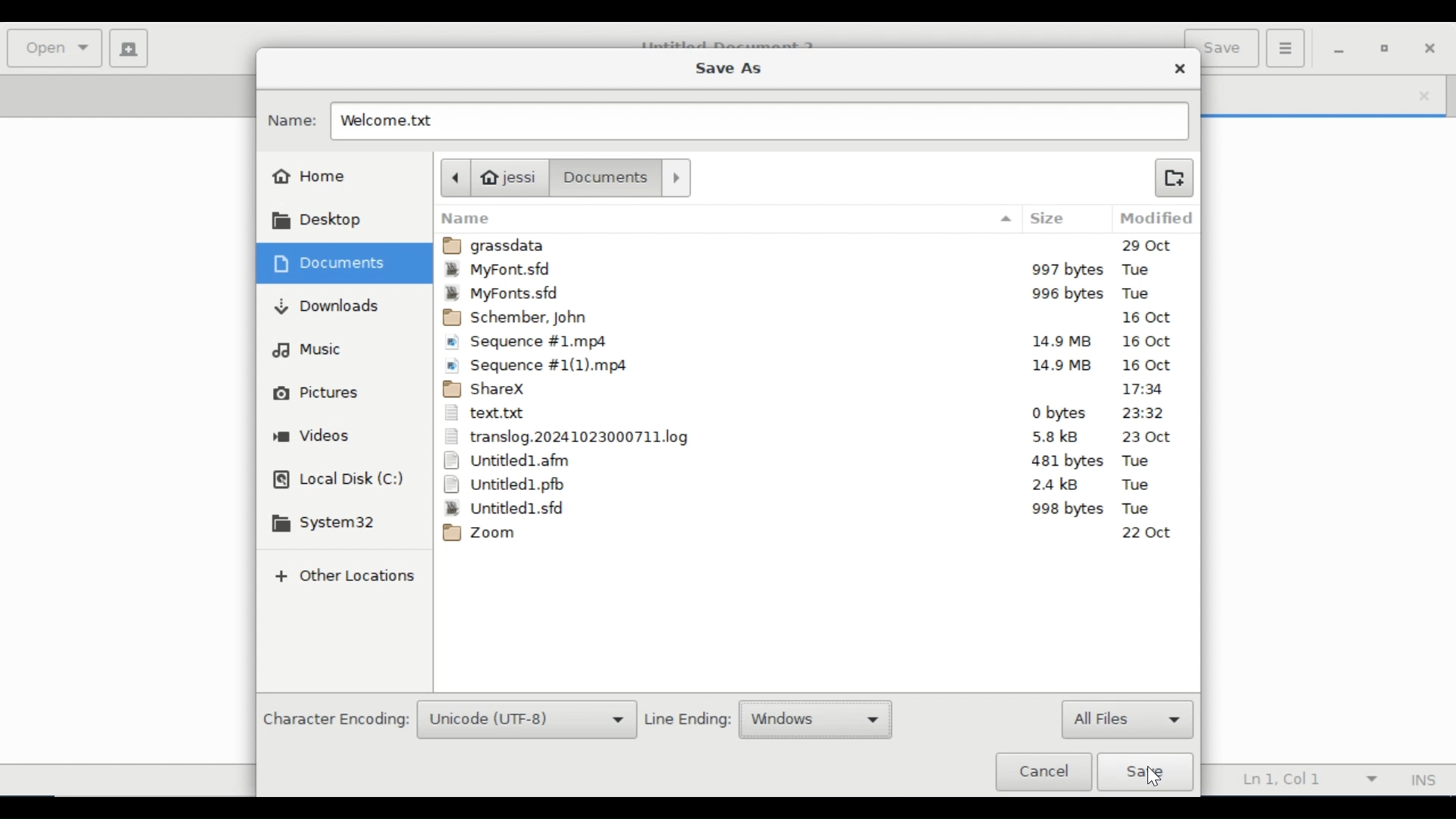 The height and width of the screenshot is (819, 1456). What do you see at coordinates (454, 177) in the screenshot?
I see `Back` at bounding box center [454, 177].